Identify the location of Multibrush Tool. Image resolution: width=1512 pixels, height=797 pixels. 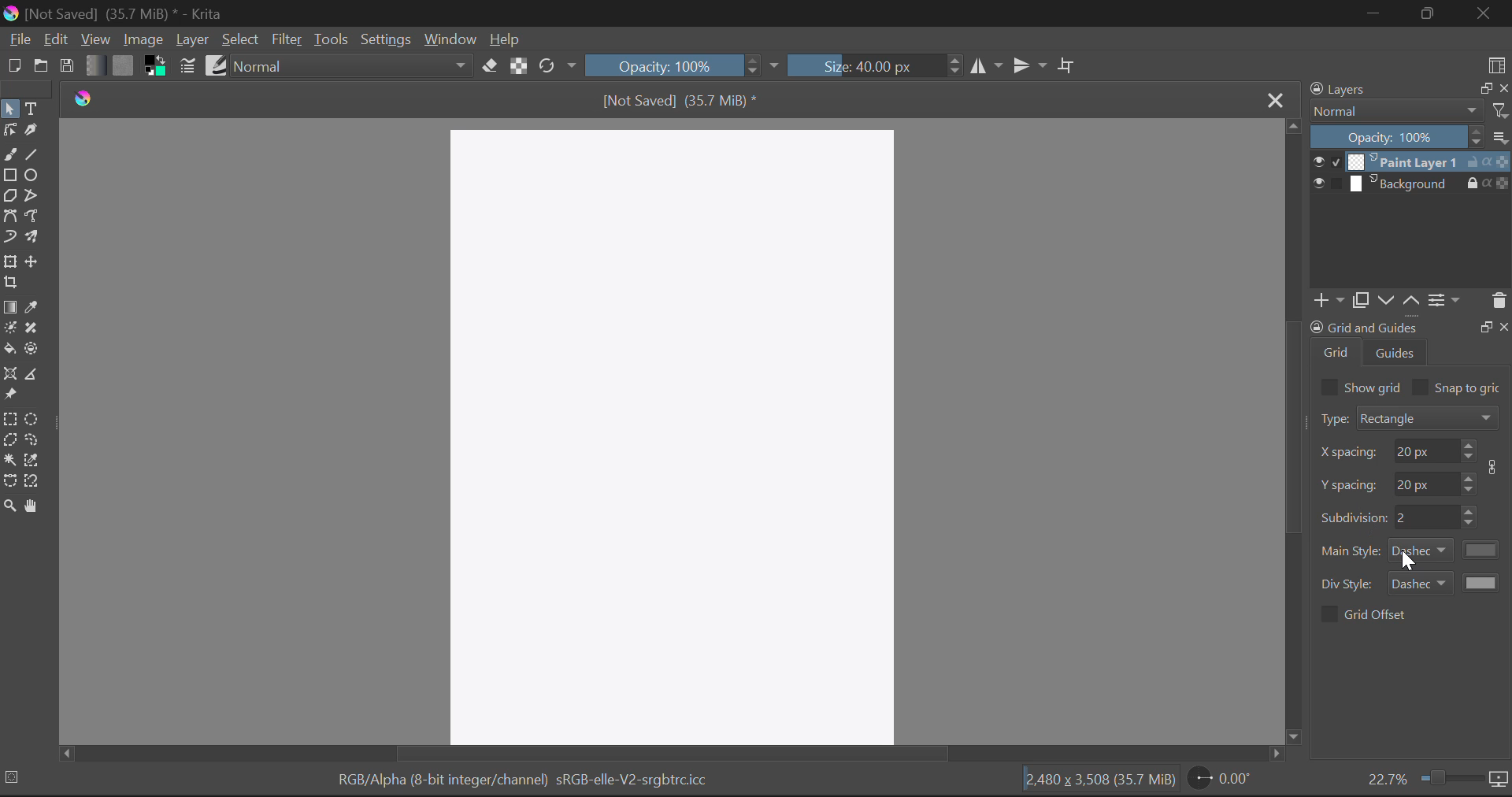
(35, 239).